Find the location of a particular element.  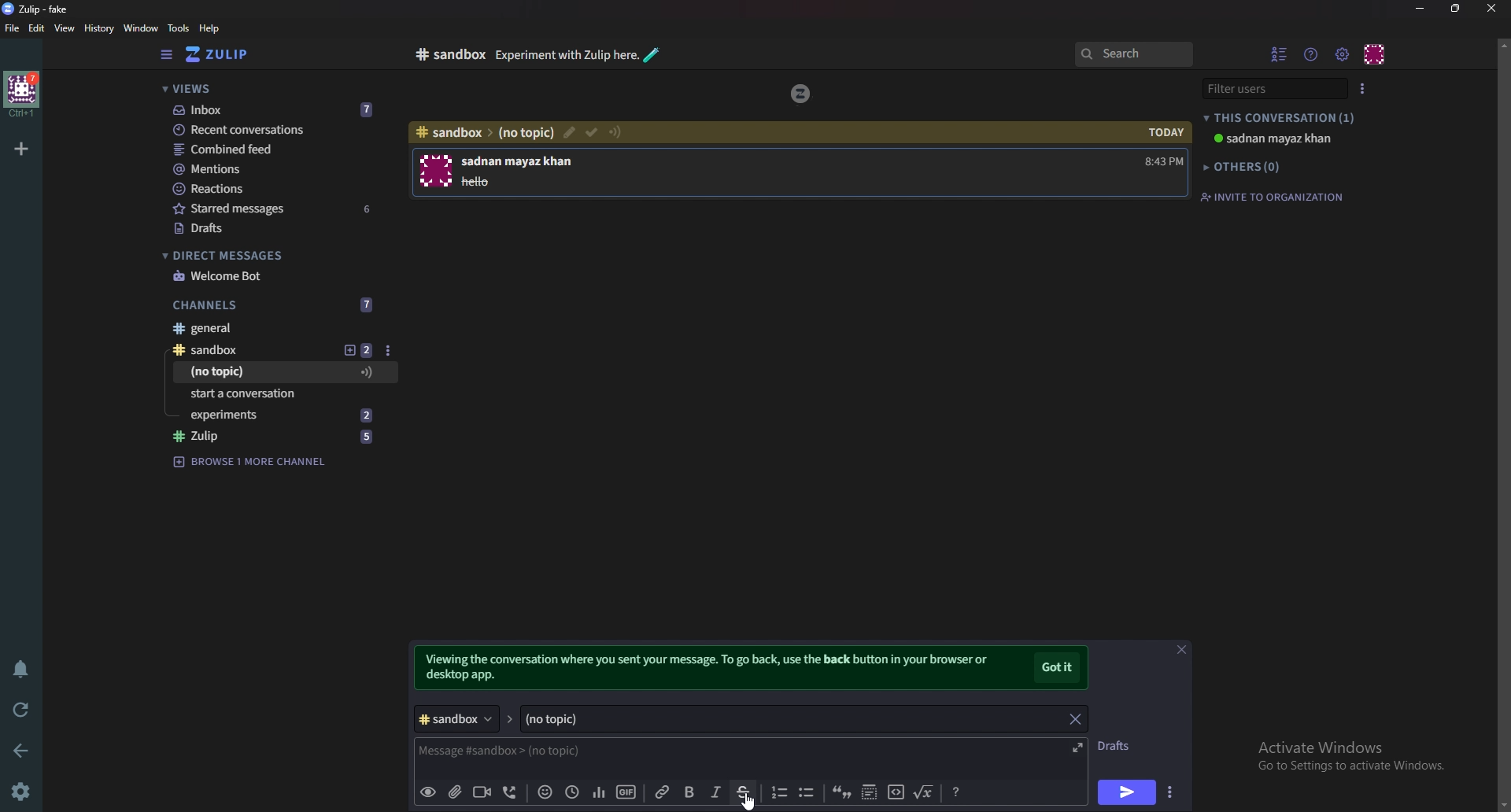

message #sandbox>(no topic) is located at coordinates (501, 751).